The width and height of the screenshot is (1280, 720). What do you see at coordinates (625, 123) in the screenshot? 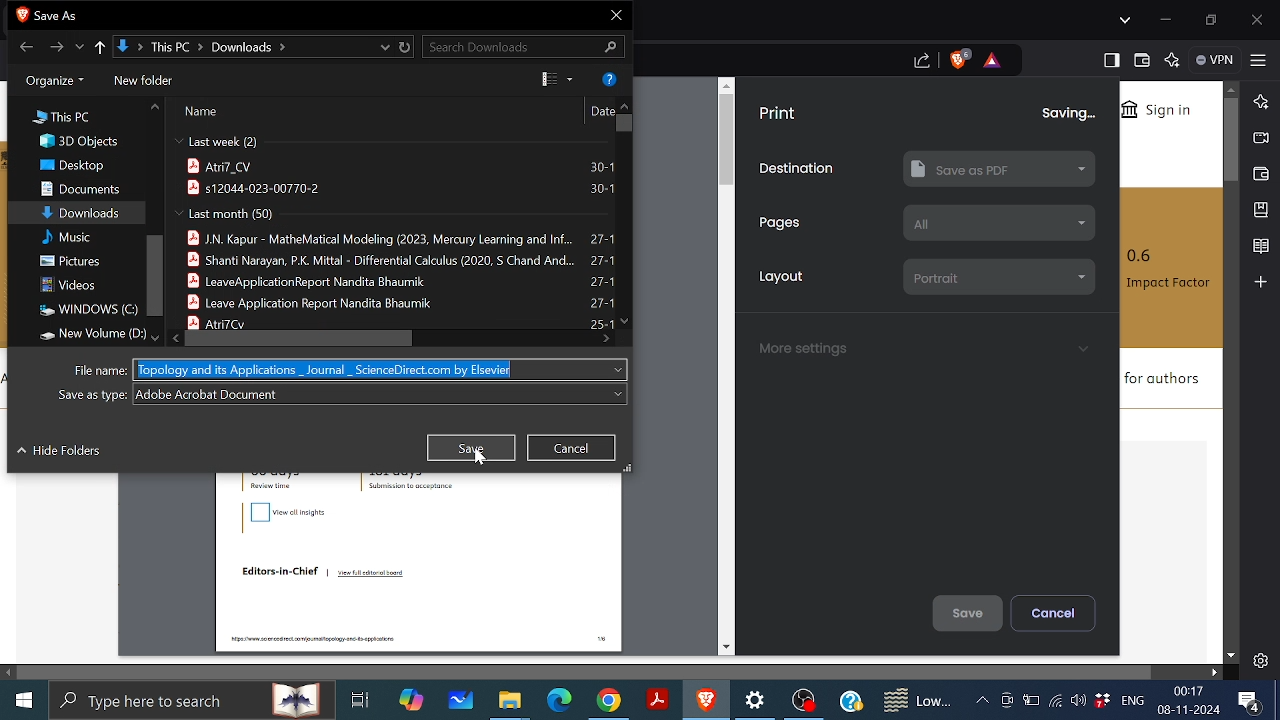
I see `Vertical scroll bar` at bounding box center [625, 123].